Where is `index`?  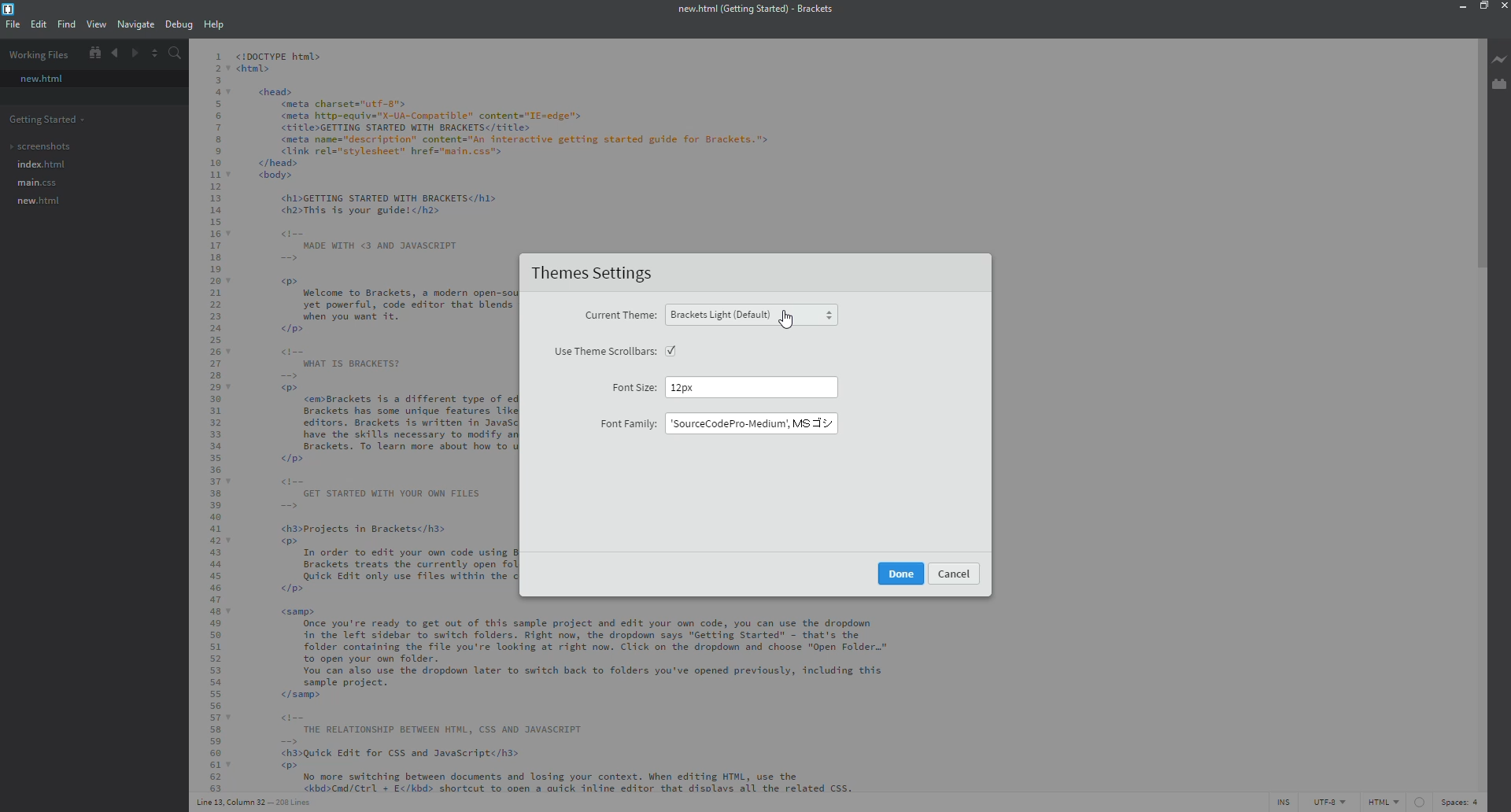
index is located at coordinates (39, 164).